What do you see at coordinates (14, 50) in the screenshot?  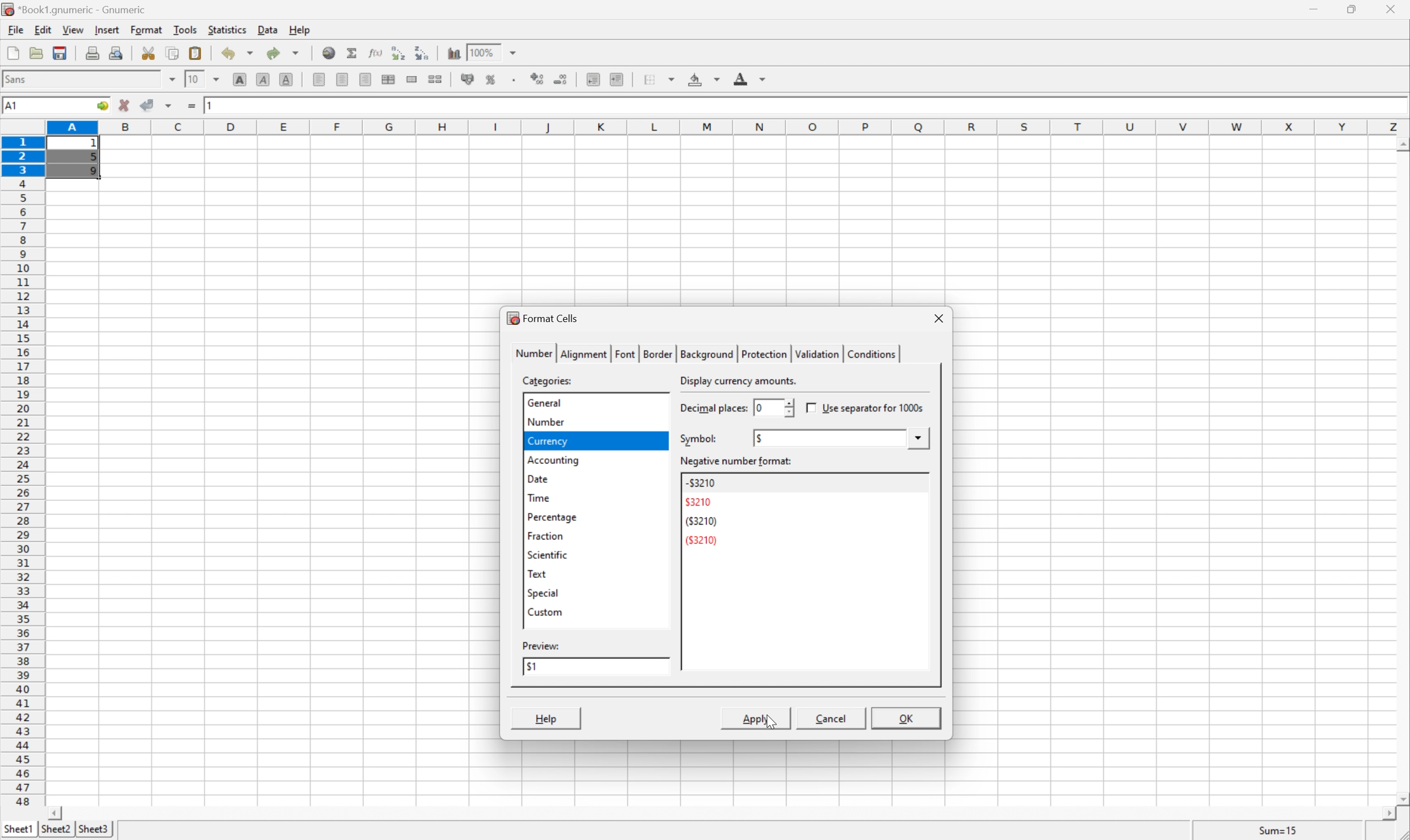 I see `new` at bounding box center [14, 50].